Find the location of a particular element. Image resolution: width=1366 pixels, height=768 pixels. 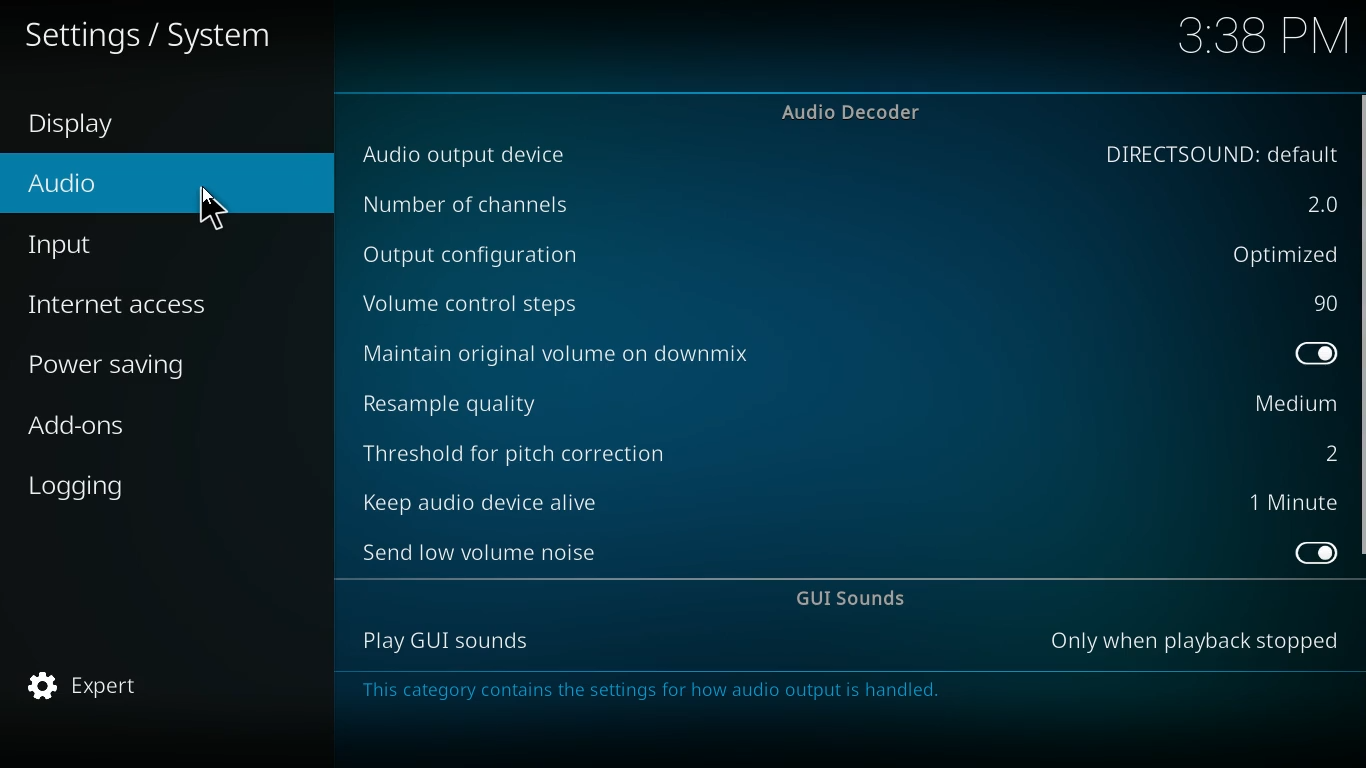

medium is located at coordinates (1290, 405).